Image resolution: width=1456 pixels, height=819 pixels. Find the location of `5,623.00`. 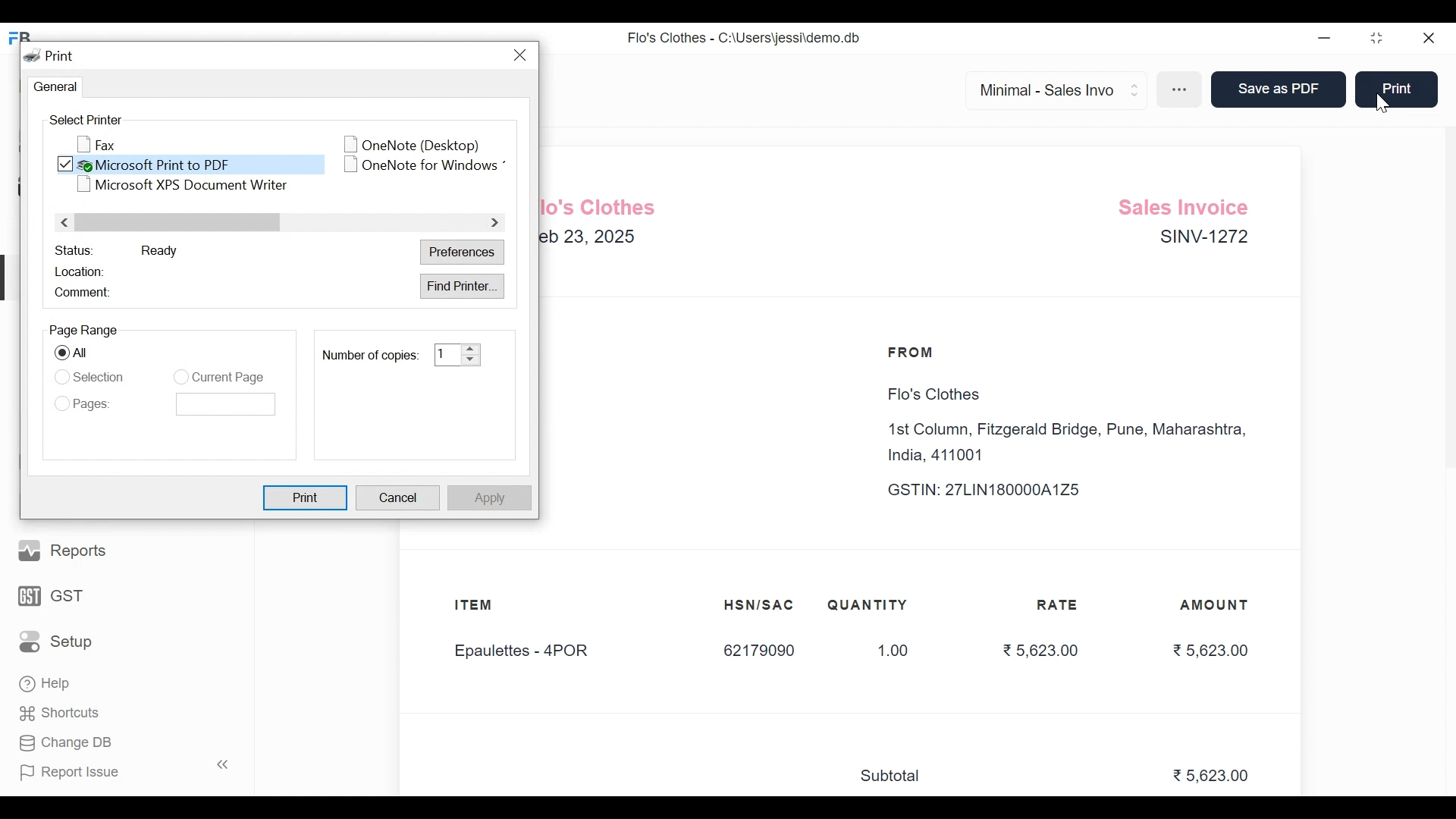

5,623.00 is located at coordinates (1213, 777).